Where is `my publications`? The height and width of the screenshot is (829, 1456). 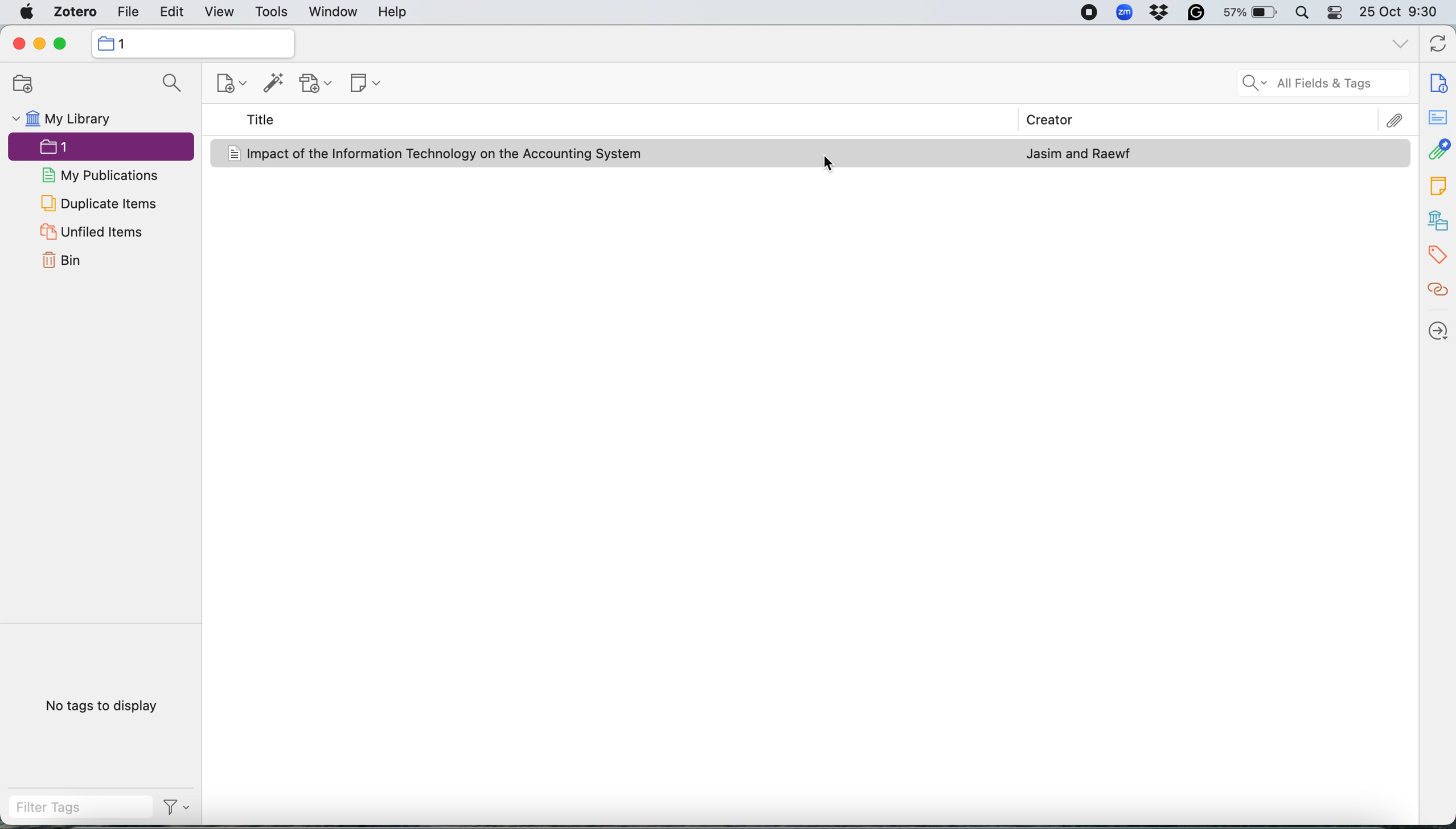
my publications is located at coordinates (97, 174).